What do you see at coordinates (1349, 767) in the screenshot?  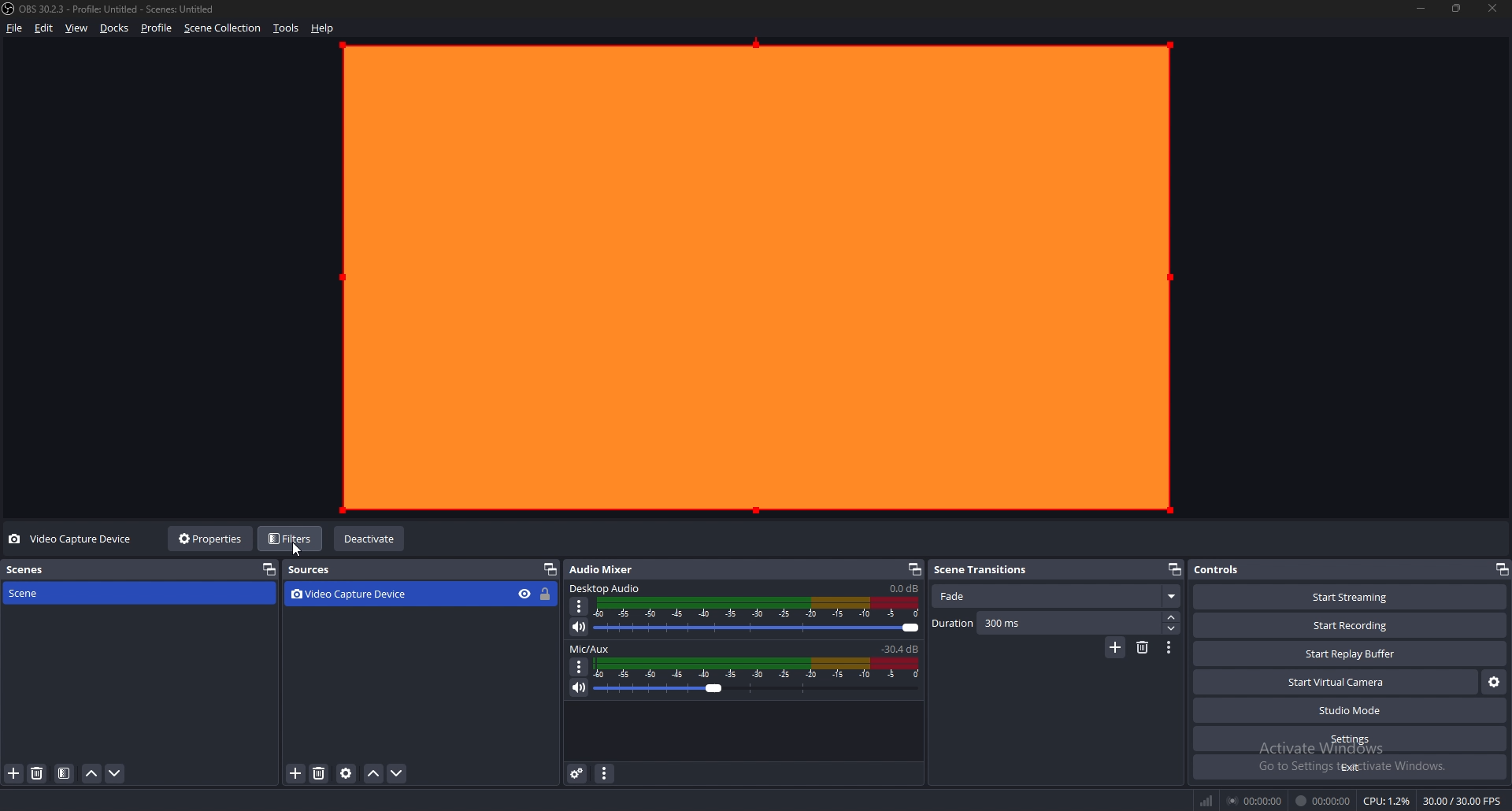 I see `exit` at bounding box center [1349, 767].